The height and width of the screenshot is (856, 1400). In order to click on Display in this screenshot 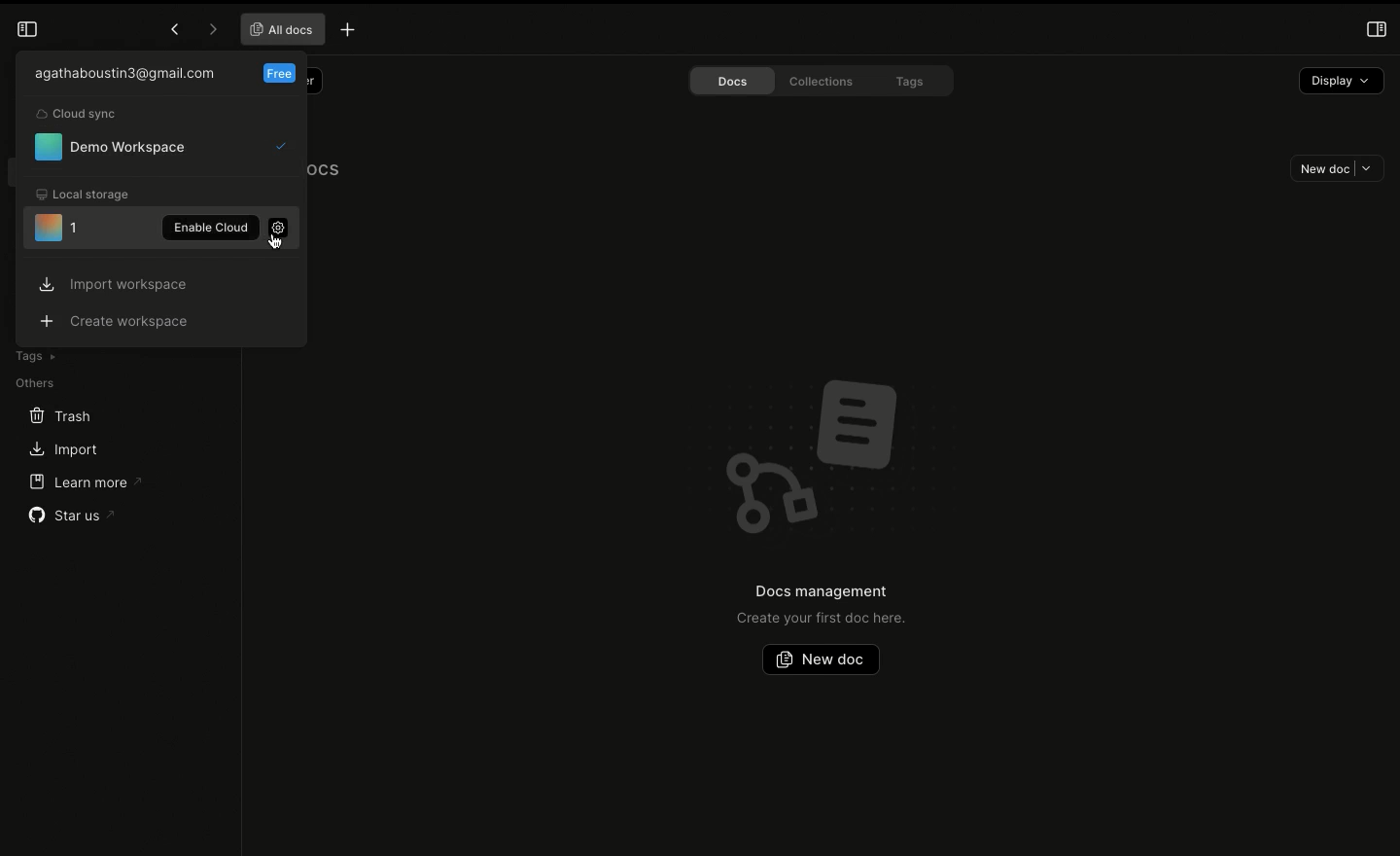, I will do `click(1340, 78)`.